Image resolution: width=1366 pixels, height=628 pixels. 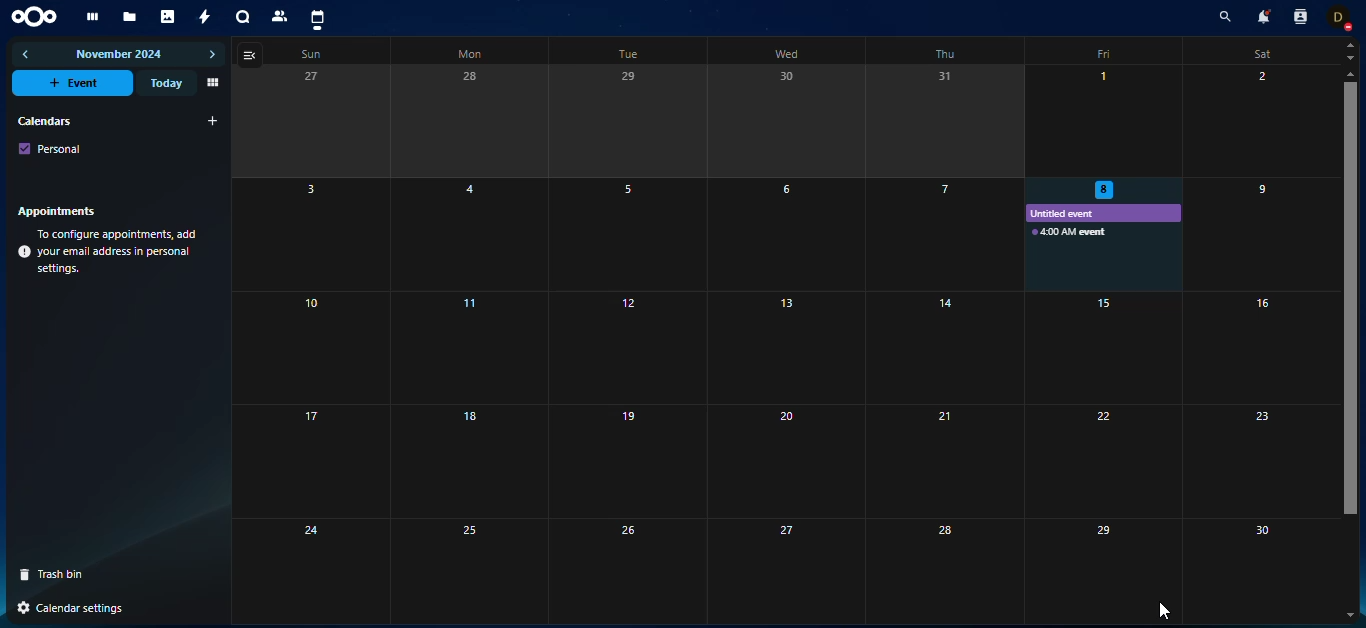 What do you see at coordinates (1069, 232) in the screenshot?
I see `event` at bounding box center [1069, 232].